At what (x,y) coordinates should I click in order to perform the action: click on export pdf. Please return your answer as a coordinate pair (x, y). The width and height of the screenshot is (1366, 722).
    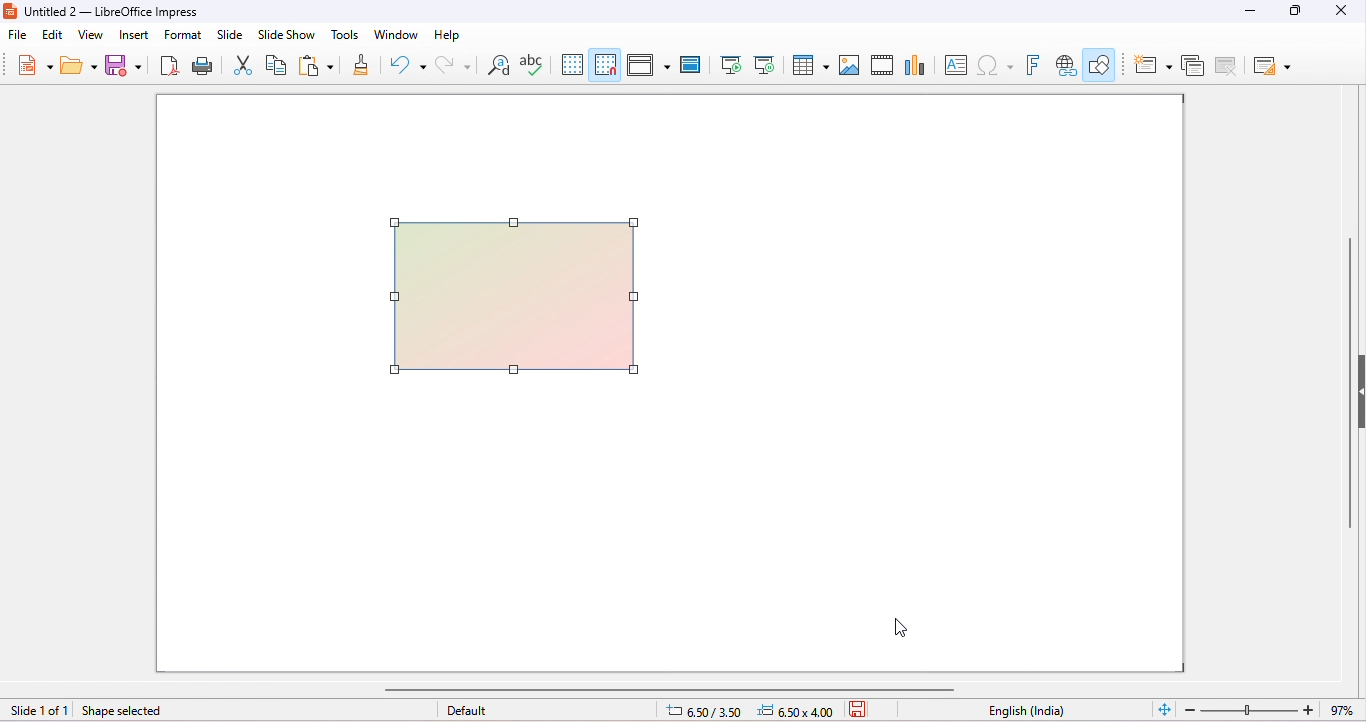
    Looking at the image, I should click on (167, 64).